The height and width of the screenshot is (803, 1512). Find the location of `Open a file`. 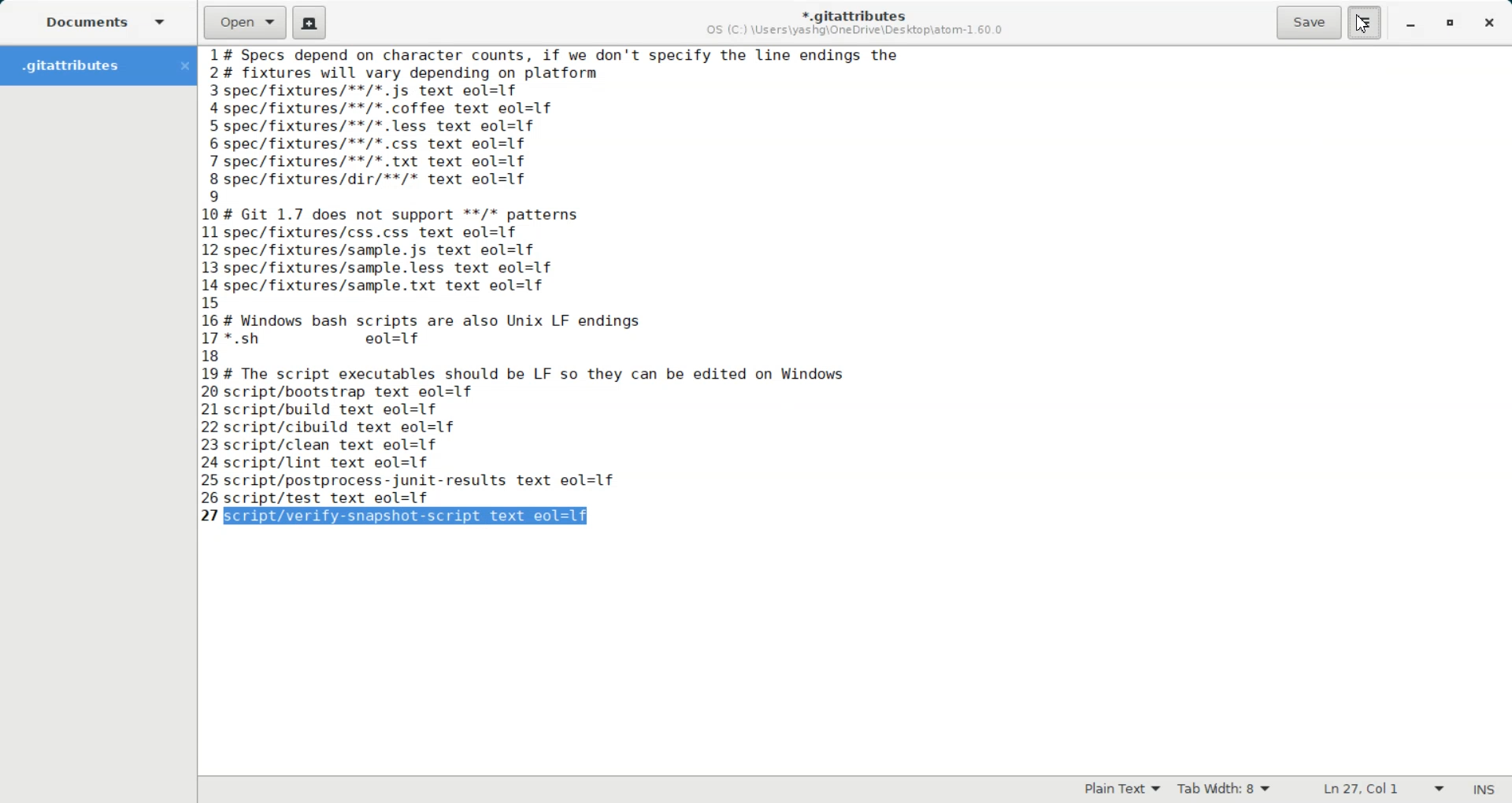

Open a file is located at coordinates (245, 21).